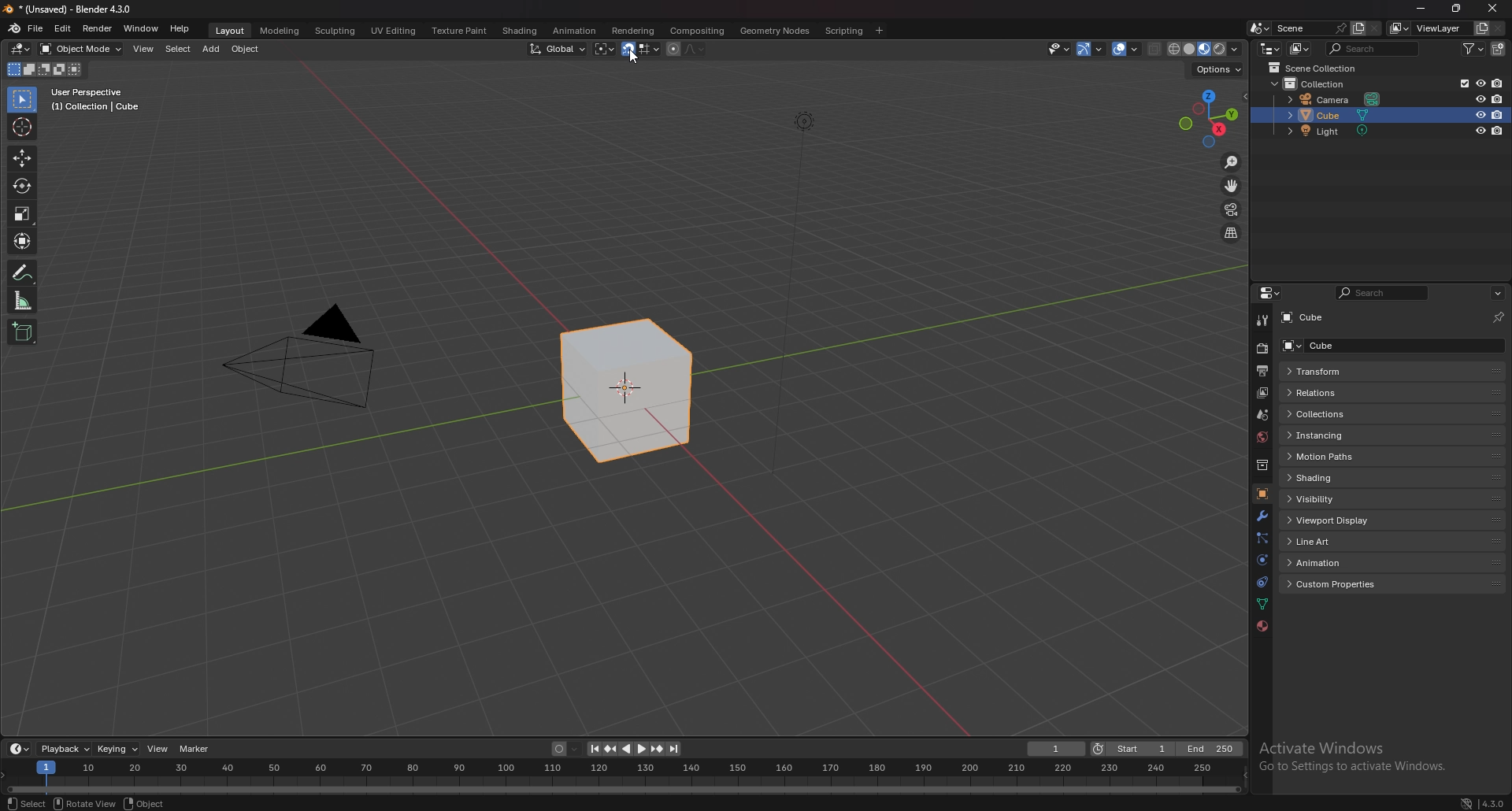 This screenshot has width=1512, height=811. I want to click on viewport display, so click(1335, 520).